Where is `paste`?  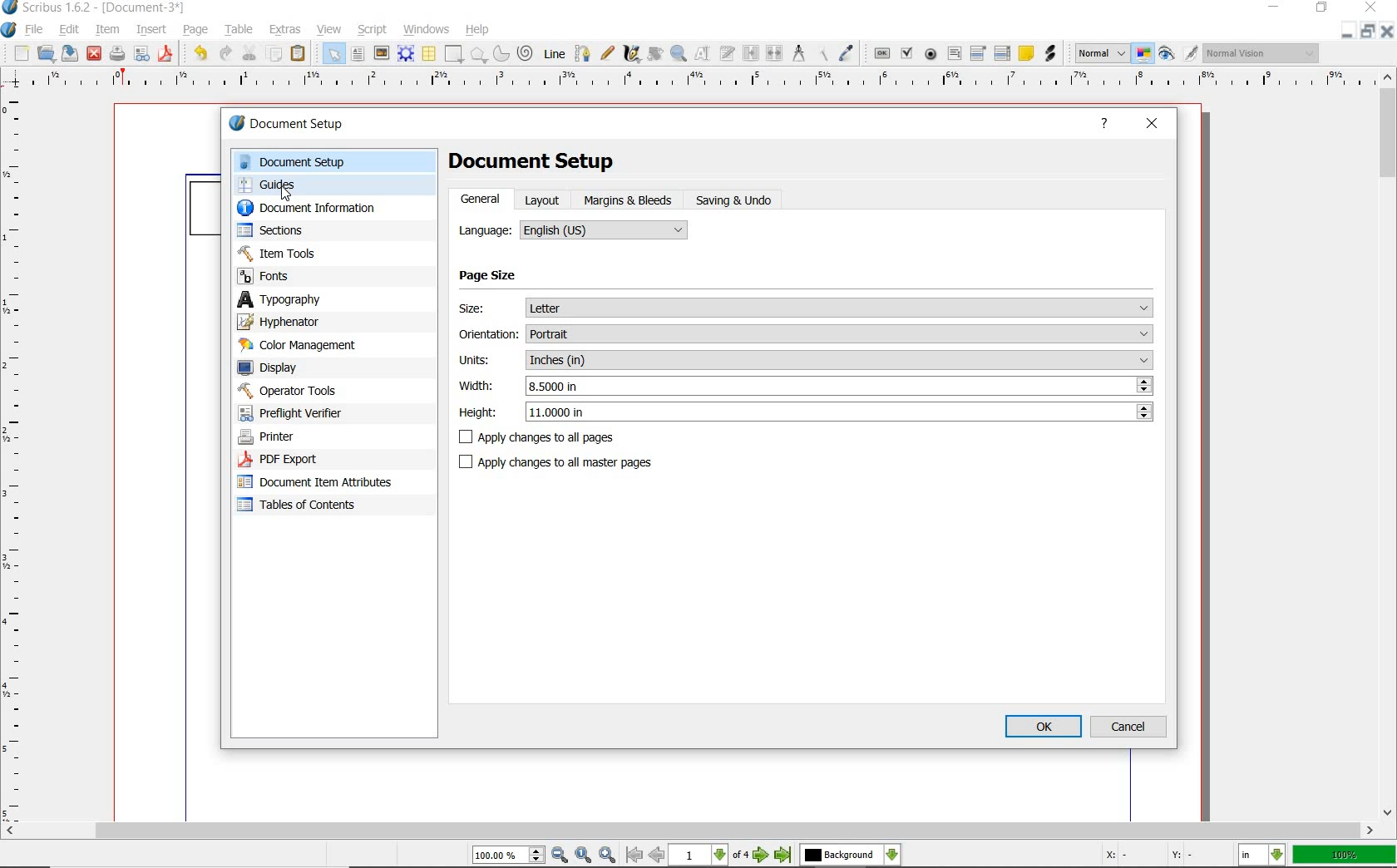 paste is located at coordinates (301, 55).